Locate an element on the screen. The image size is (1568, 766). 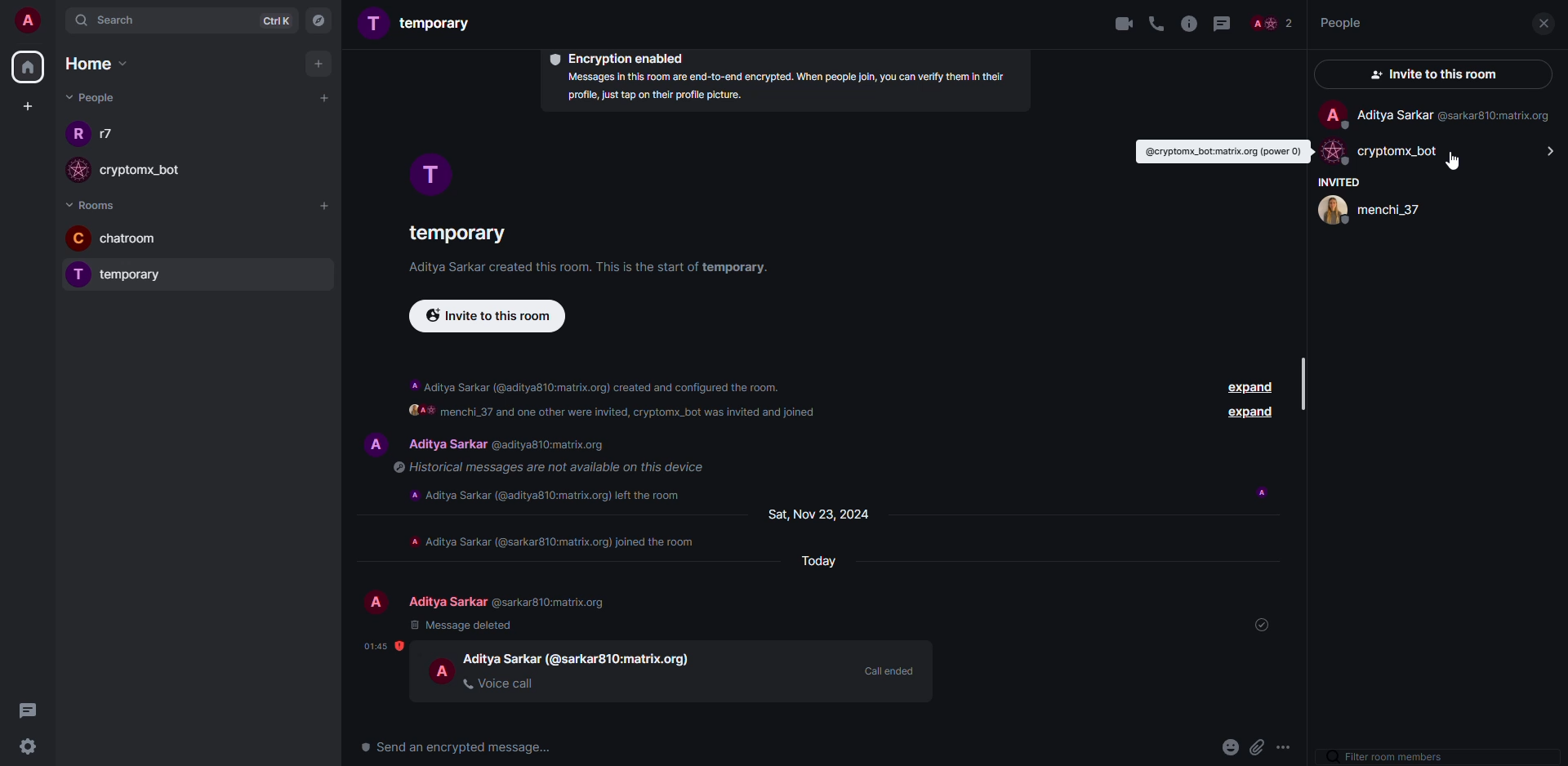
threads is located at coordinates (34, 710).